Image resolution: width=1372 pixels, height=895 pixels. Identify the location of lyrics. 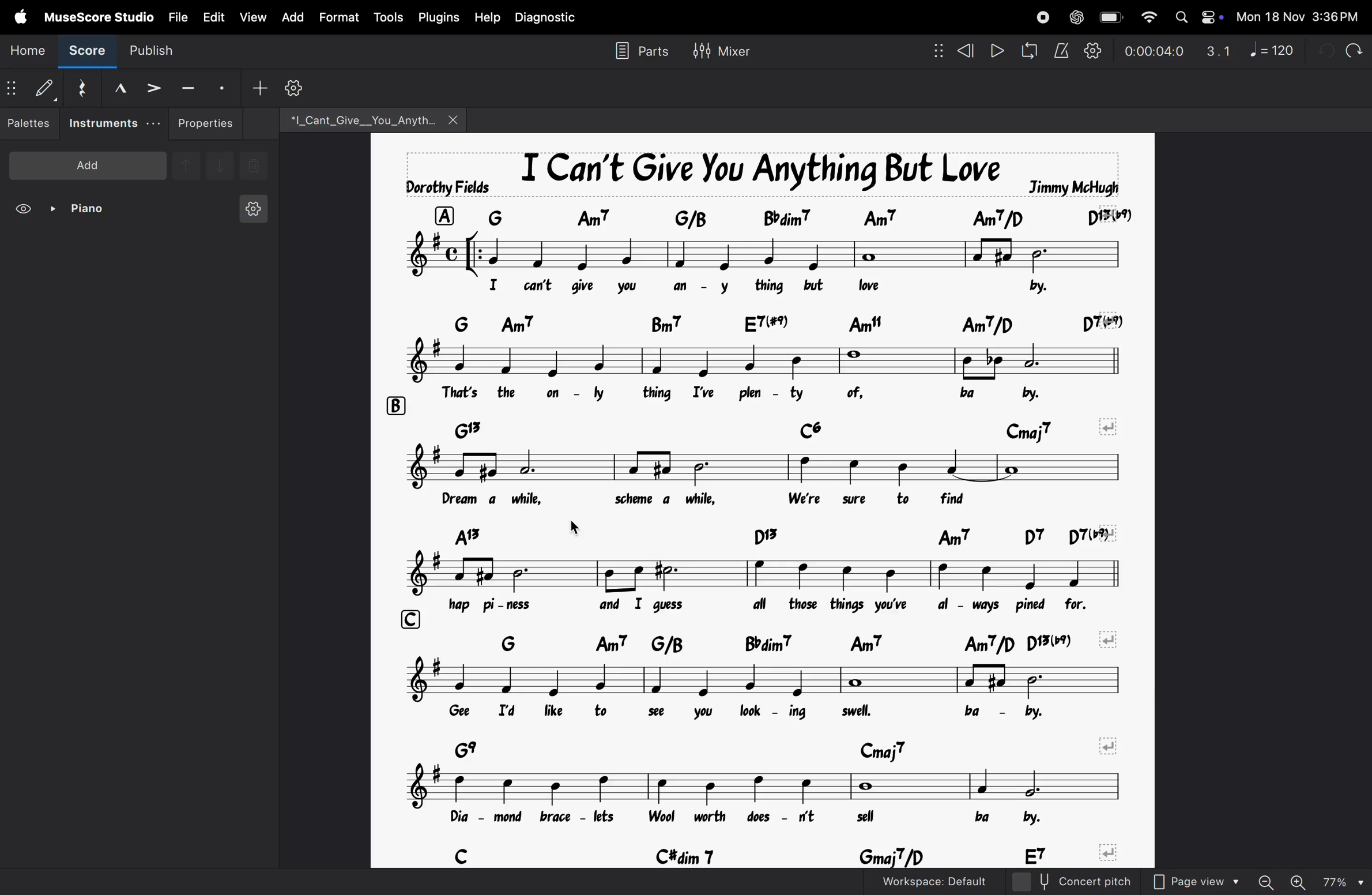
(789, 822).